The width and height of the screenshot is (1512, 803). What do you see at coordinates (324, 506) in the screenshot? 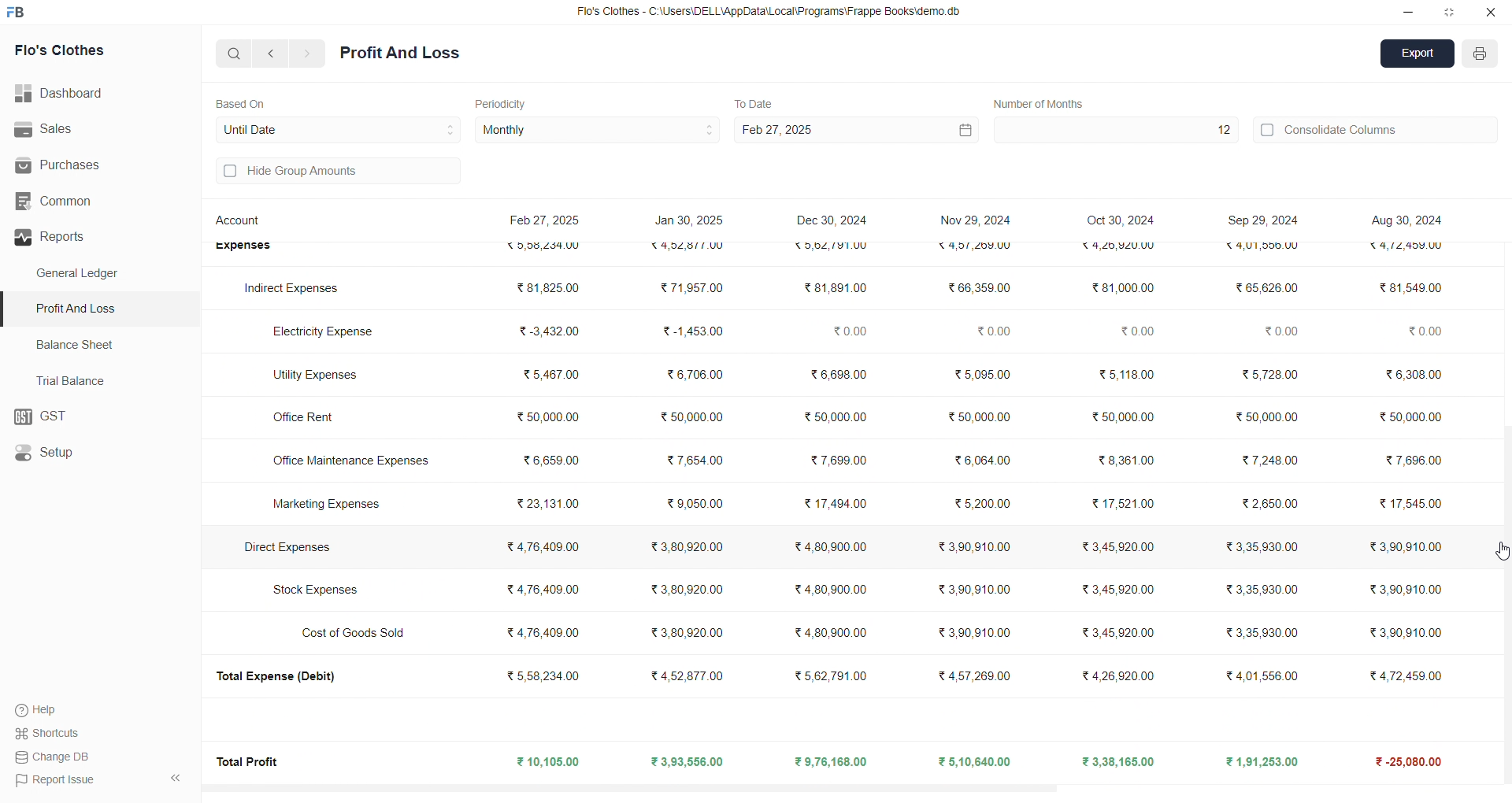
I see `Marketing Expenses` at bounding box center [324, 506].